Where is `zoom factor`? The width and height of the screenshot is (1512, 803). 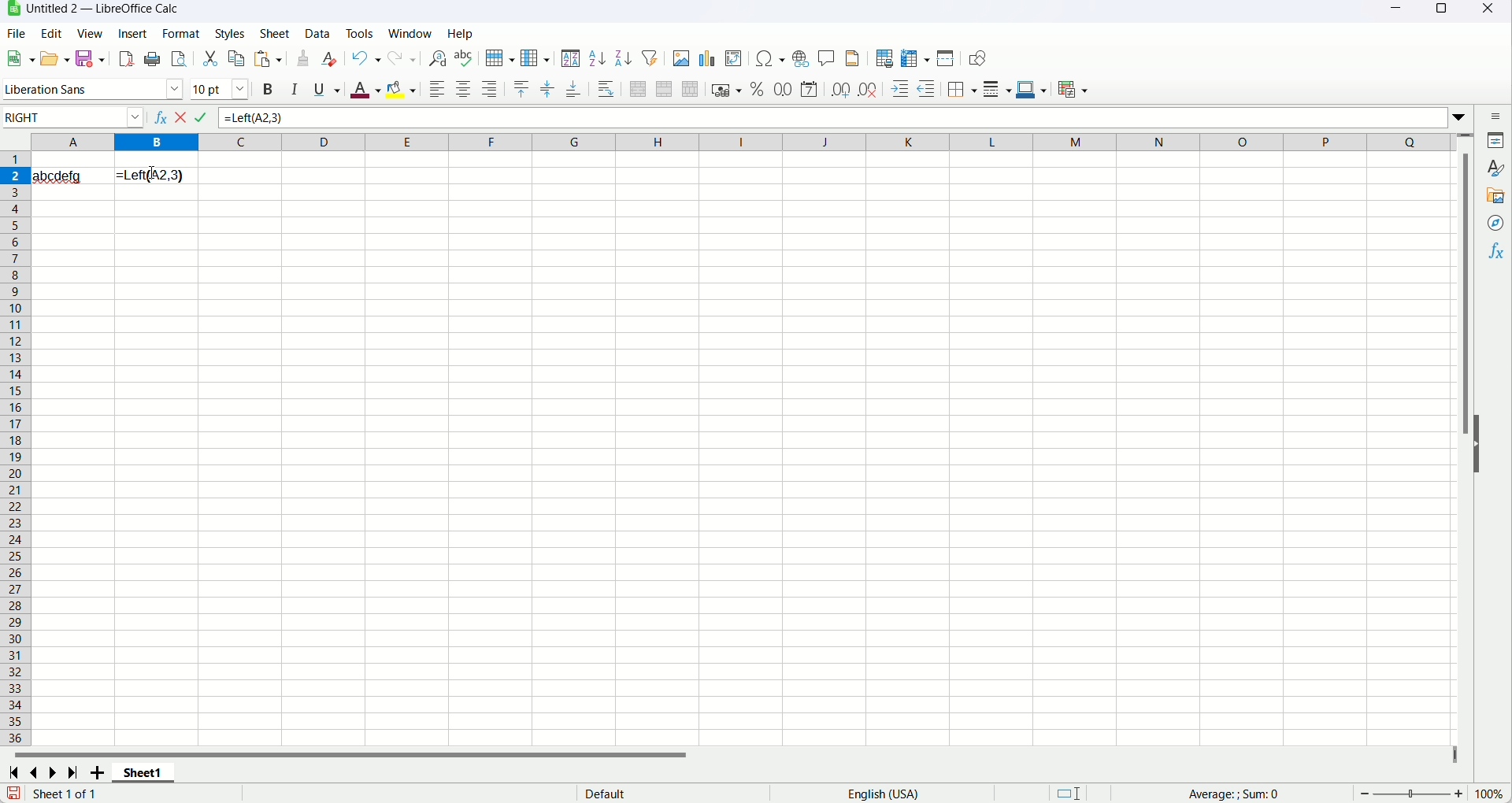 zoom factor is located at coordinates (1488, 794).